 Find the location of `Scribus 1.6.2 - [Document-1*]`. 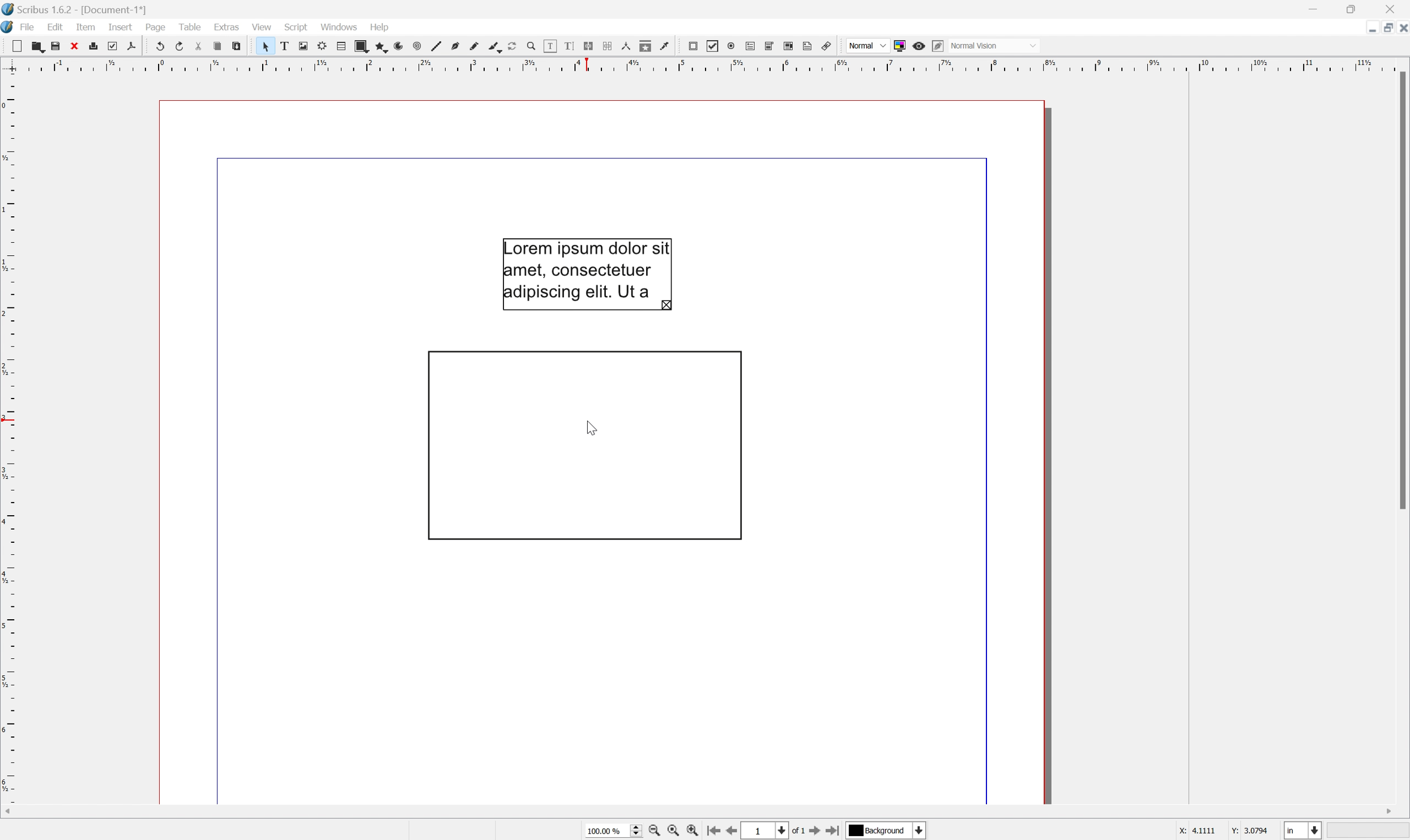

Scribus 1.6.2 - [Document-1*] is located at coordinates (72, 10).